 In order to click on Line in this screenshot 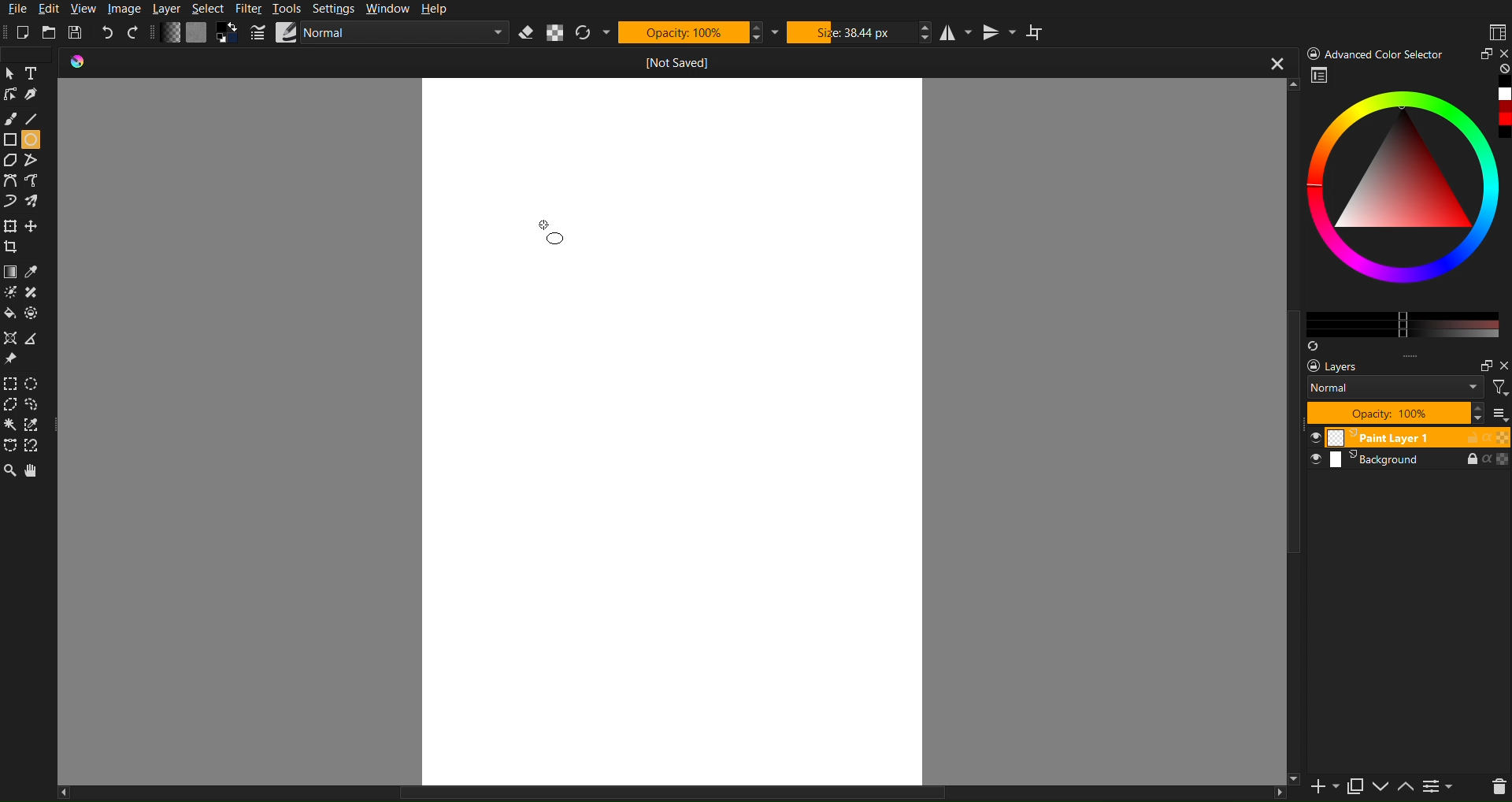, I will do `click(36, 118)`.